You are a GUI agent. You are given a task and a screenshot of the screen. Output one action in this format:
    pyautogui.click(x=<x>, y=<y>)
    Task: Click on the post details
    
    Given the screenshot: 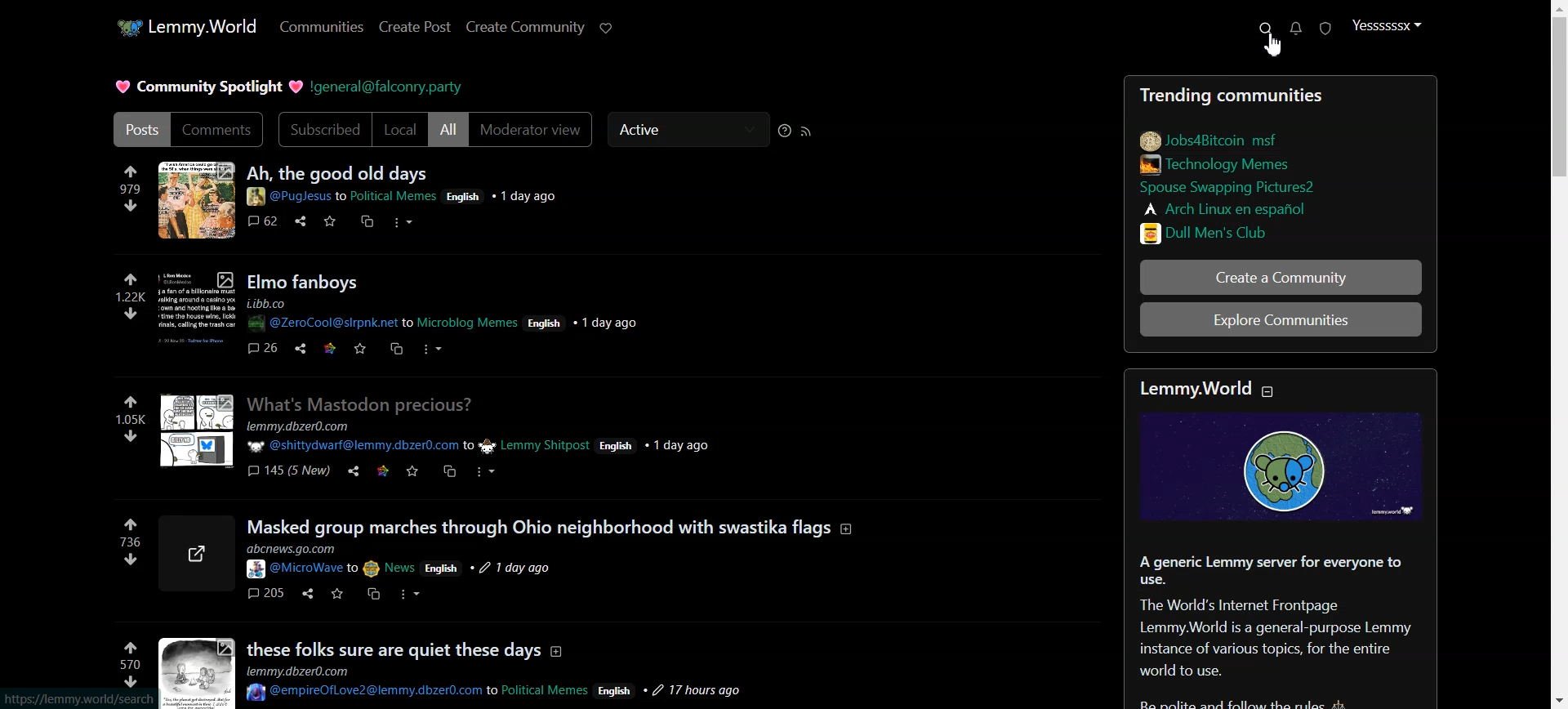 What is the action you would take?
    pyautogui.click(x=487, y=435)
    